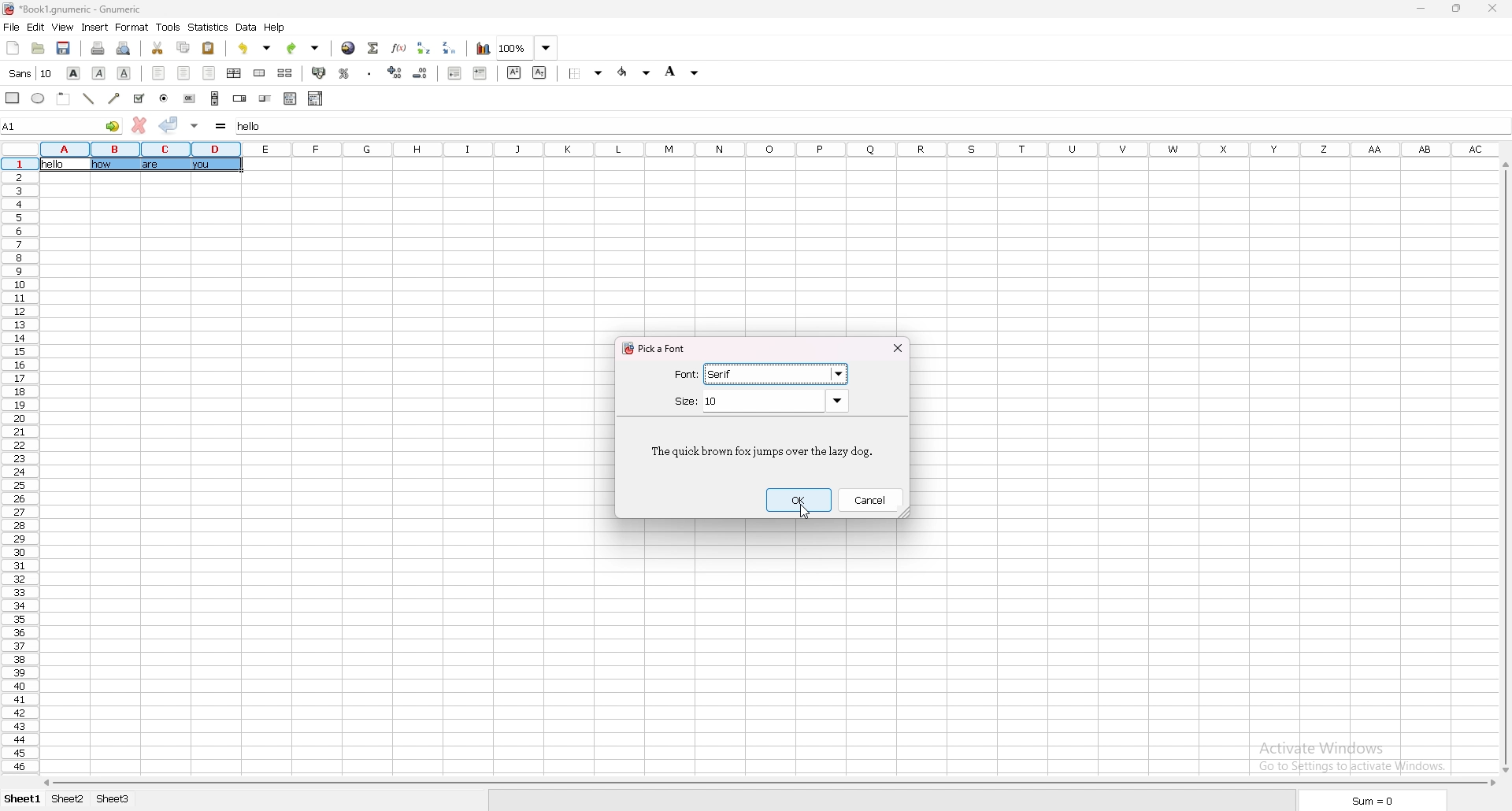 This screenshot has width=1512, height=811. What do you see at coordinates (1494, 9) in the screenshot?
I see `close` at bounding box center [1494, 9].